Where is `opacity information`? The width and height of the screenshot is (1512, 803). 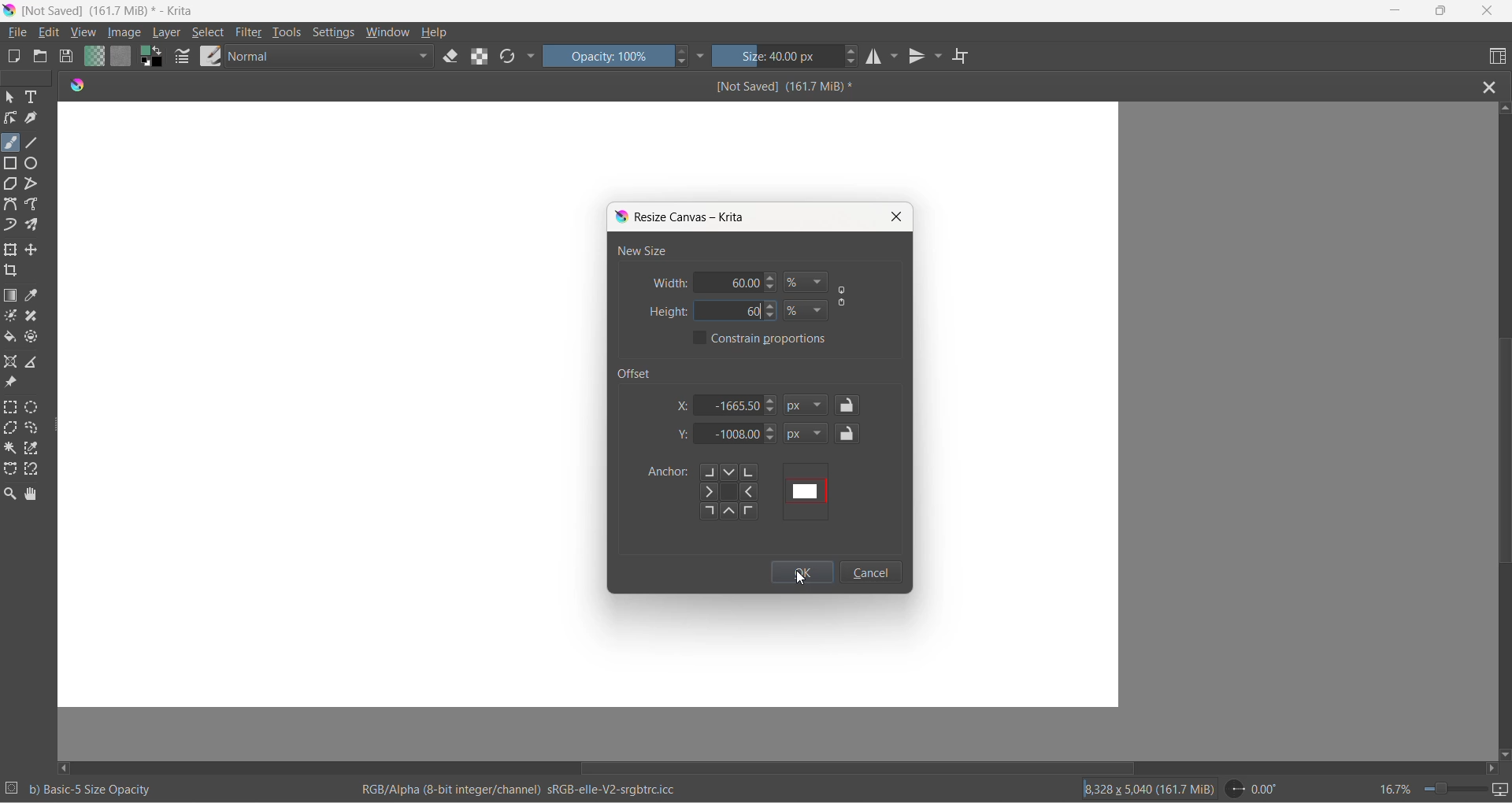 opacity information is located at coordinates (92, 790).